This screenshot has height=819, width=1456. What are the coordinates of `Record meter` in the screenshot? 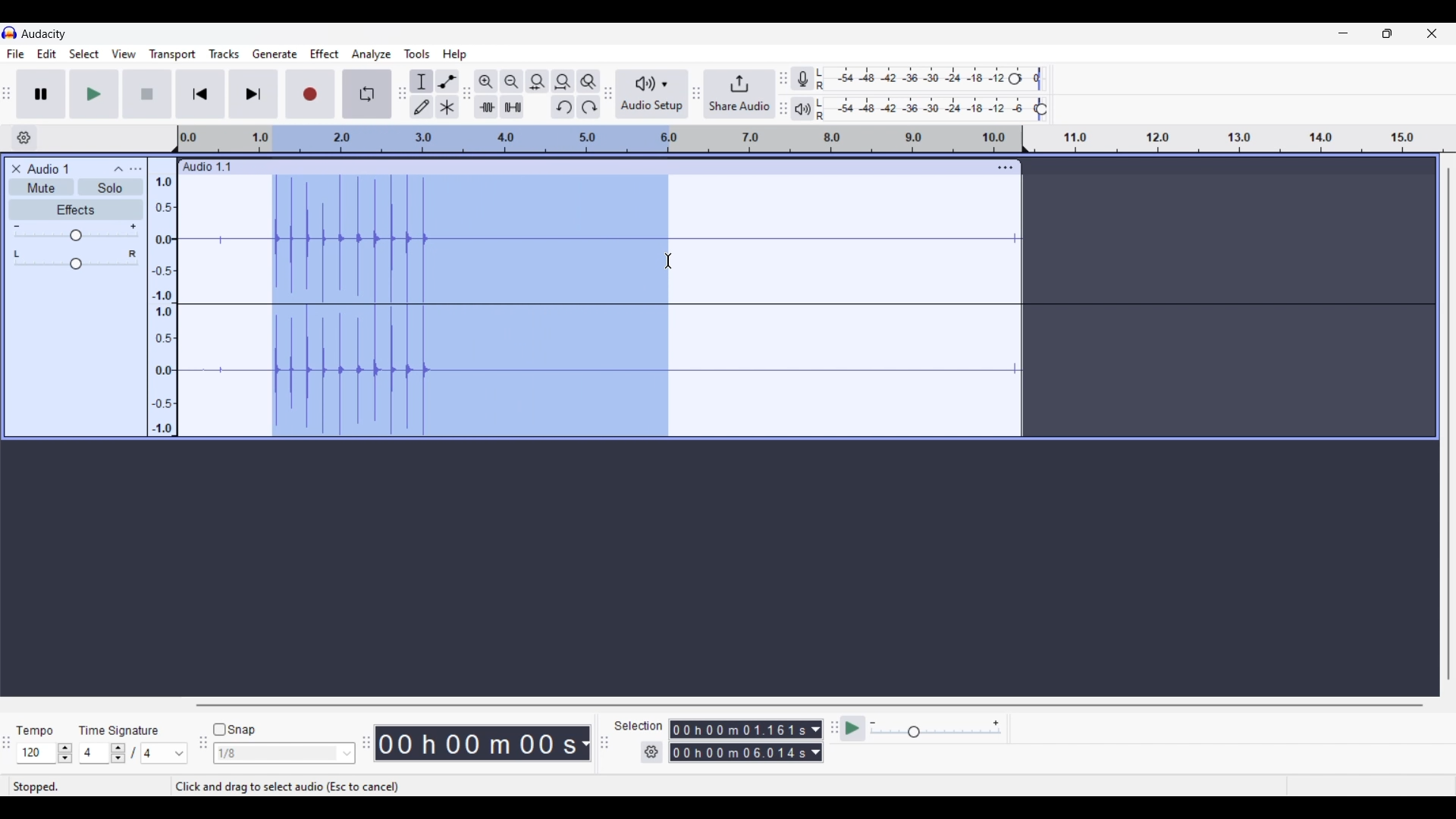 It's located at (802, 78).